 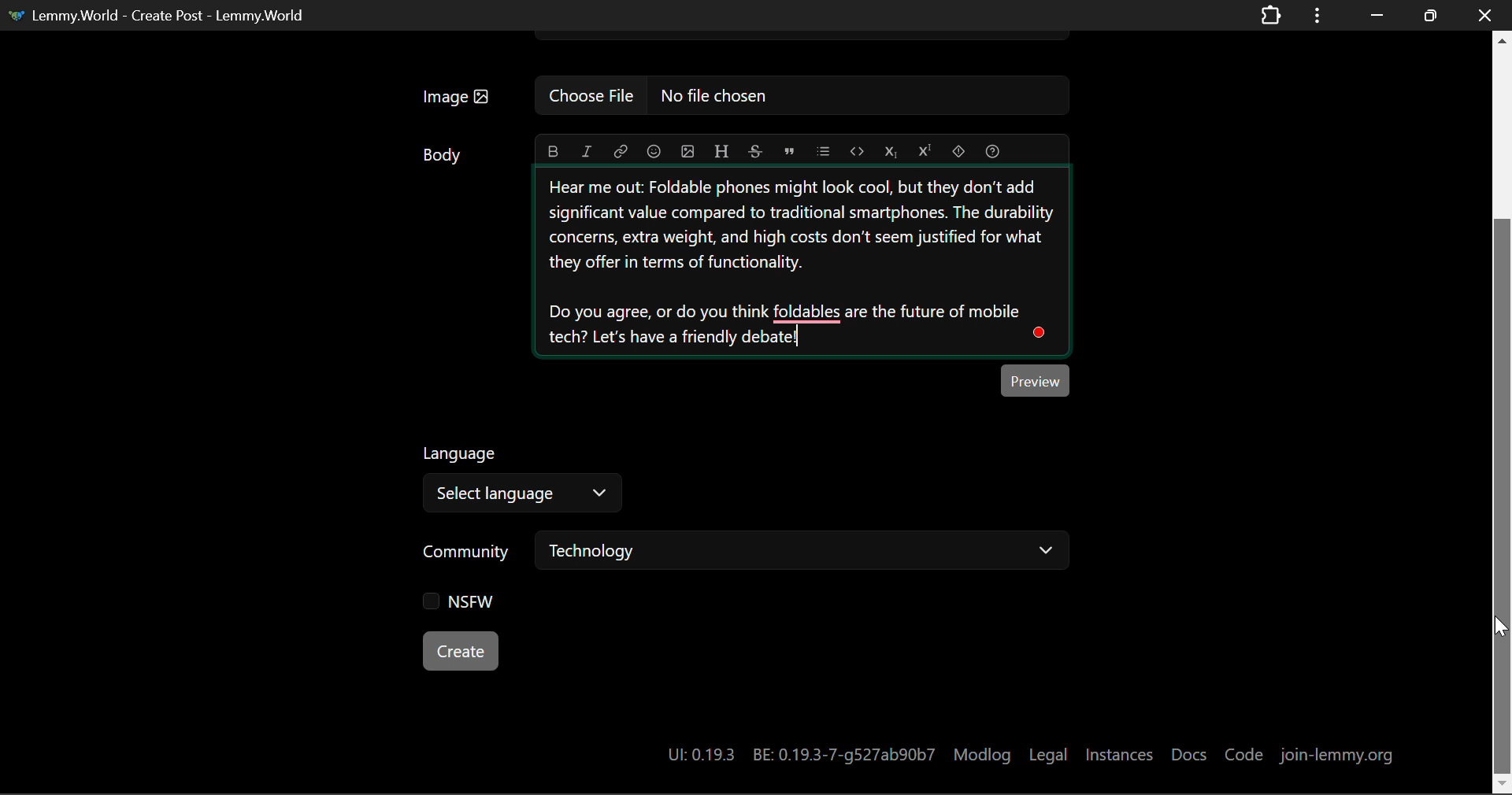 What do you see at coordinates (824, 150) in the screenshot?
I see `list` at bounding box center [824, 150].